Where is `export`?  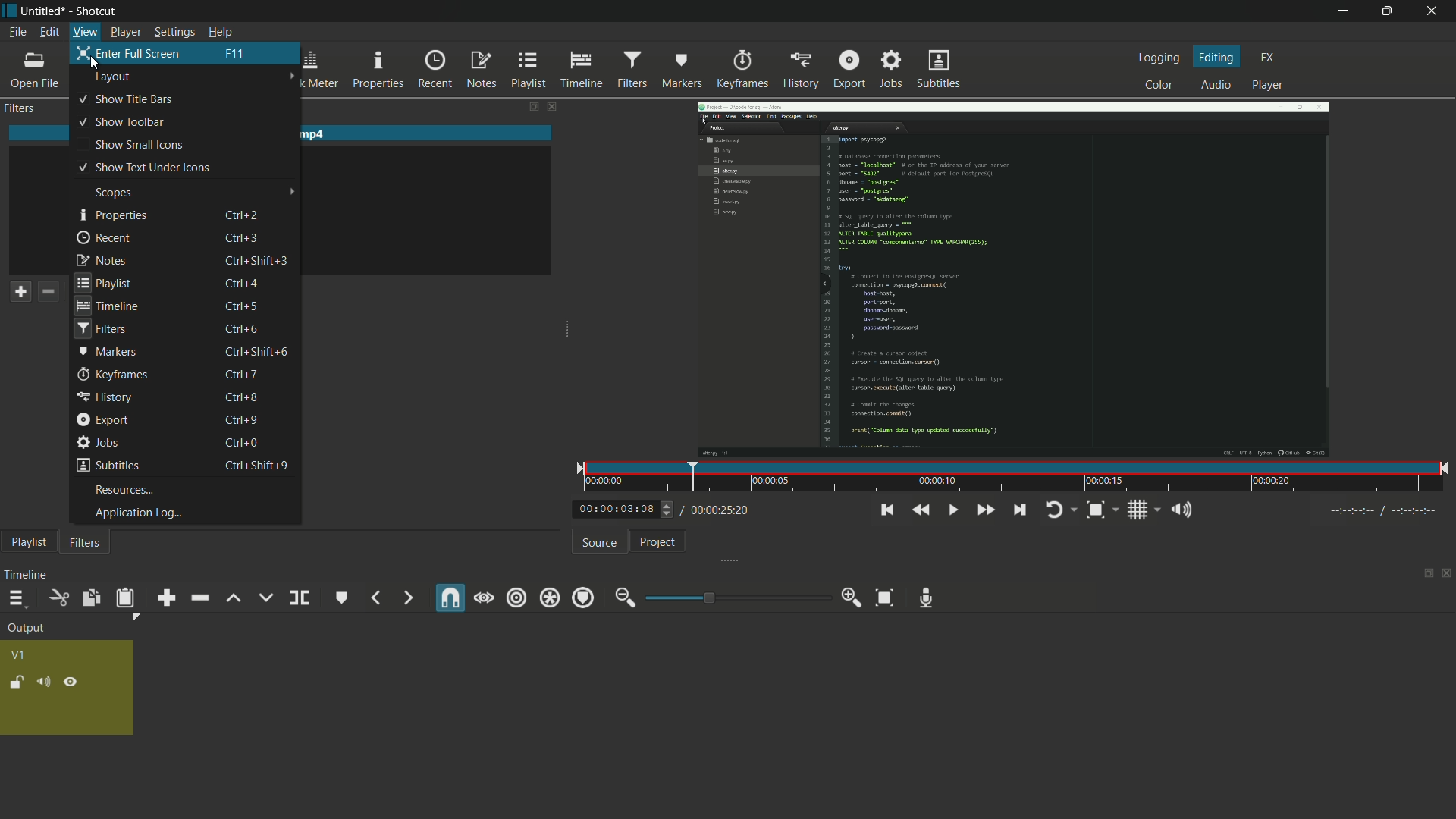 export is located at coordinates (102, 419).